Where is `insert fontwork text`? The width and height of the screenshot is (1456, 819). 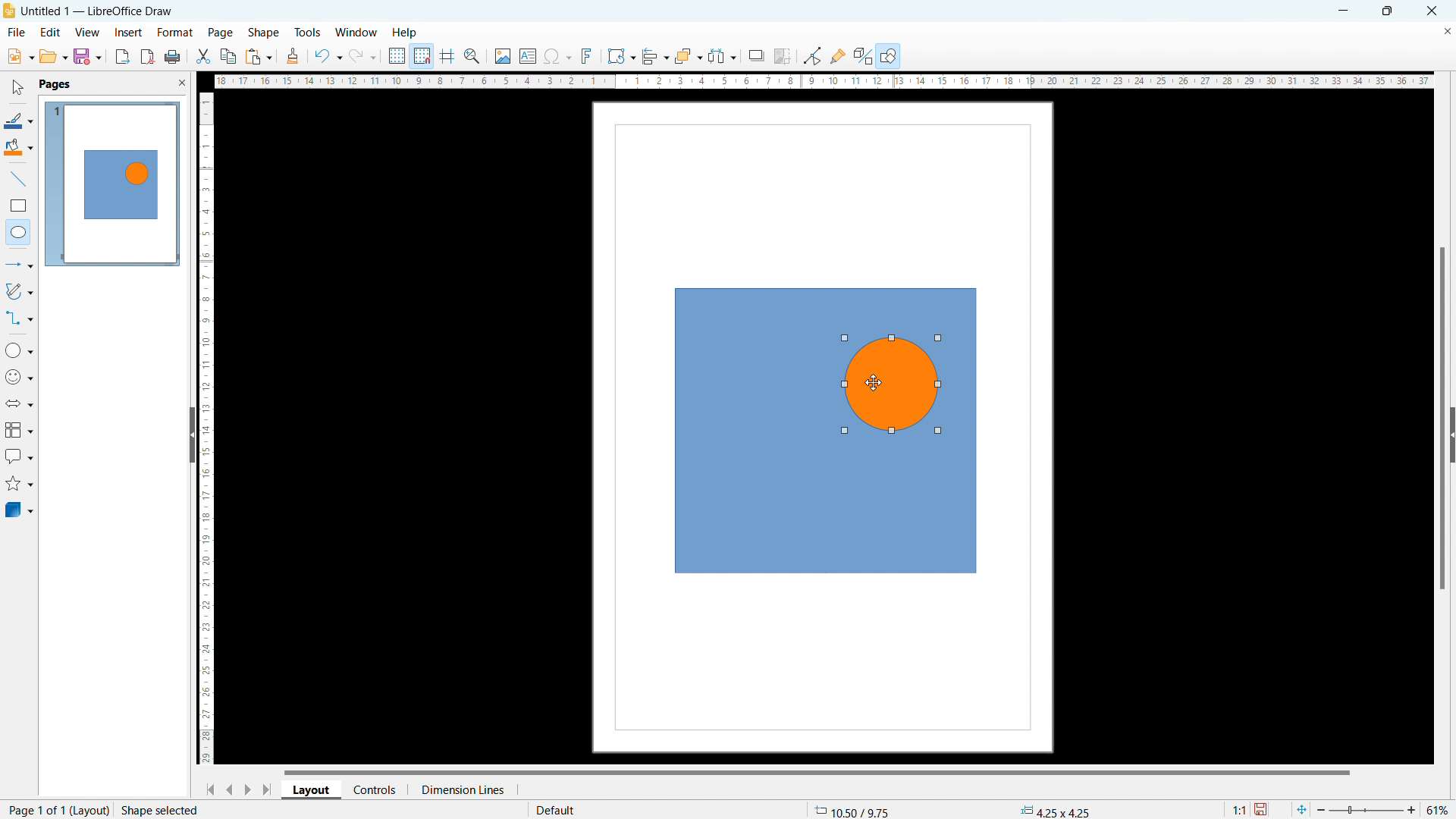 insert fontwork text is located at coordinates (587, 55).